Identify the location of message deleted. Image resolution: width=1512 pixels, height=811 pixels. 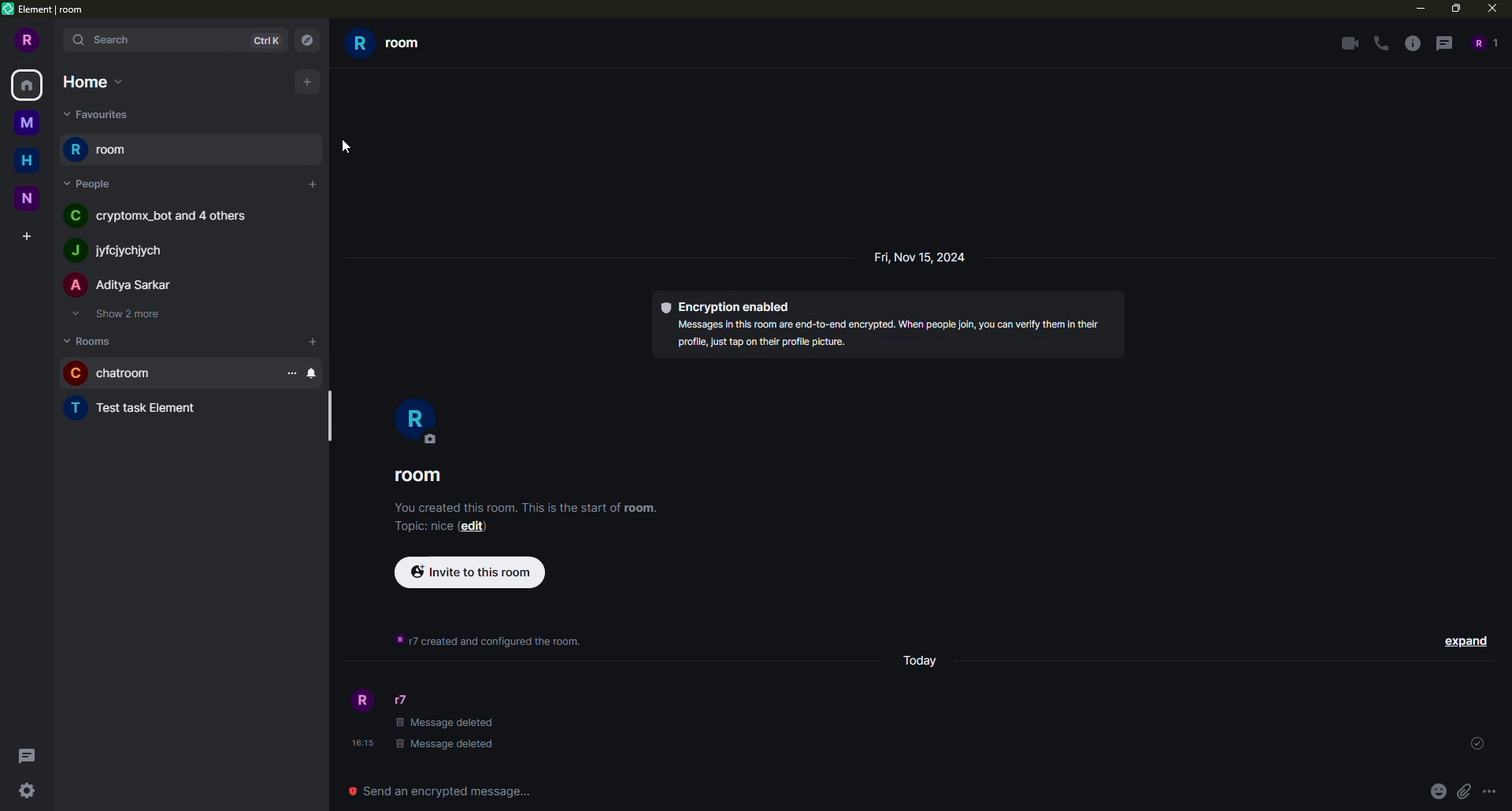
(447, 746).